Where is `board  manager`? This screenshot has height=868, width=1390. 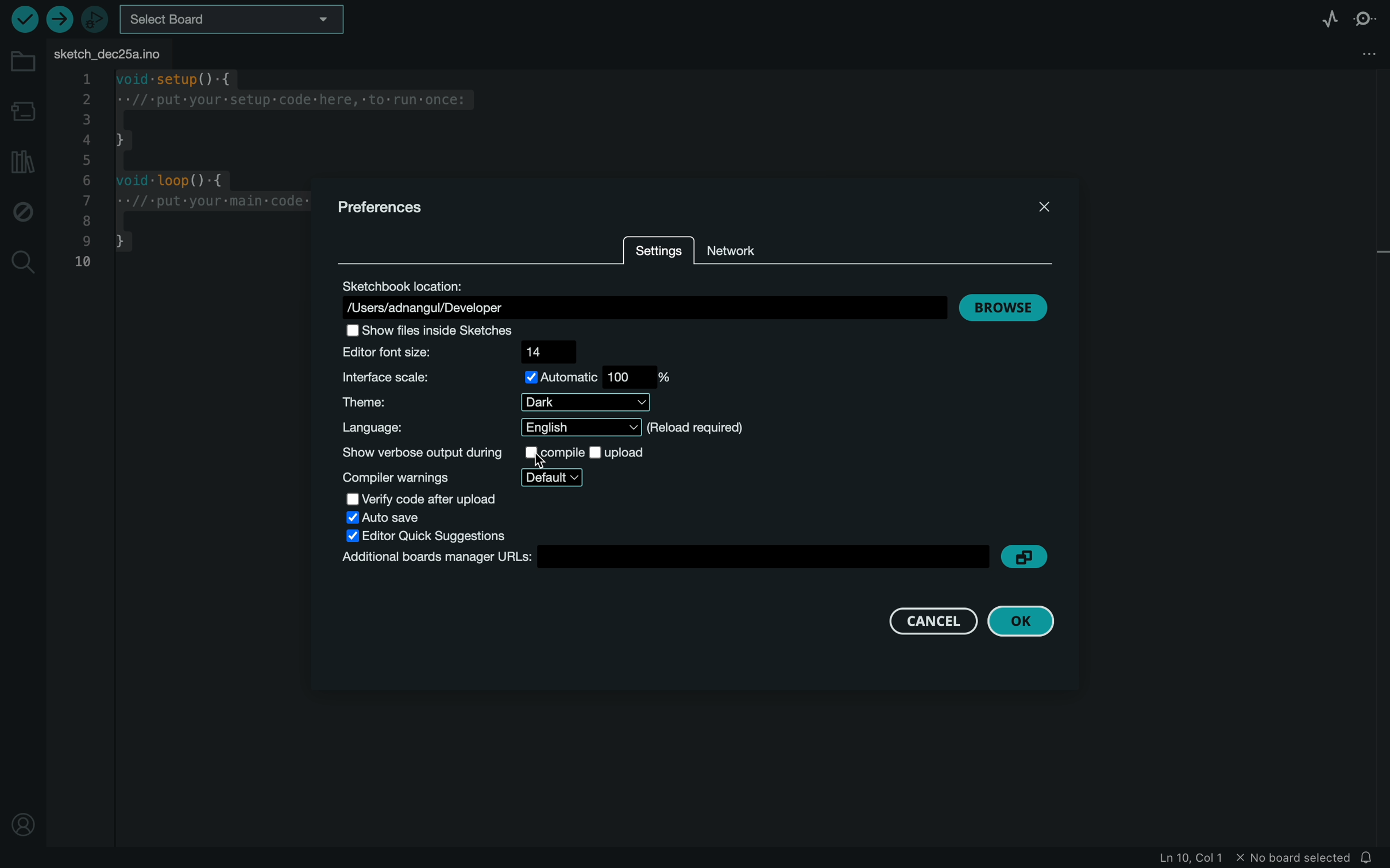
board  manager is located at coordinates (25, 111).